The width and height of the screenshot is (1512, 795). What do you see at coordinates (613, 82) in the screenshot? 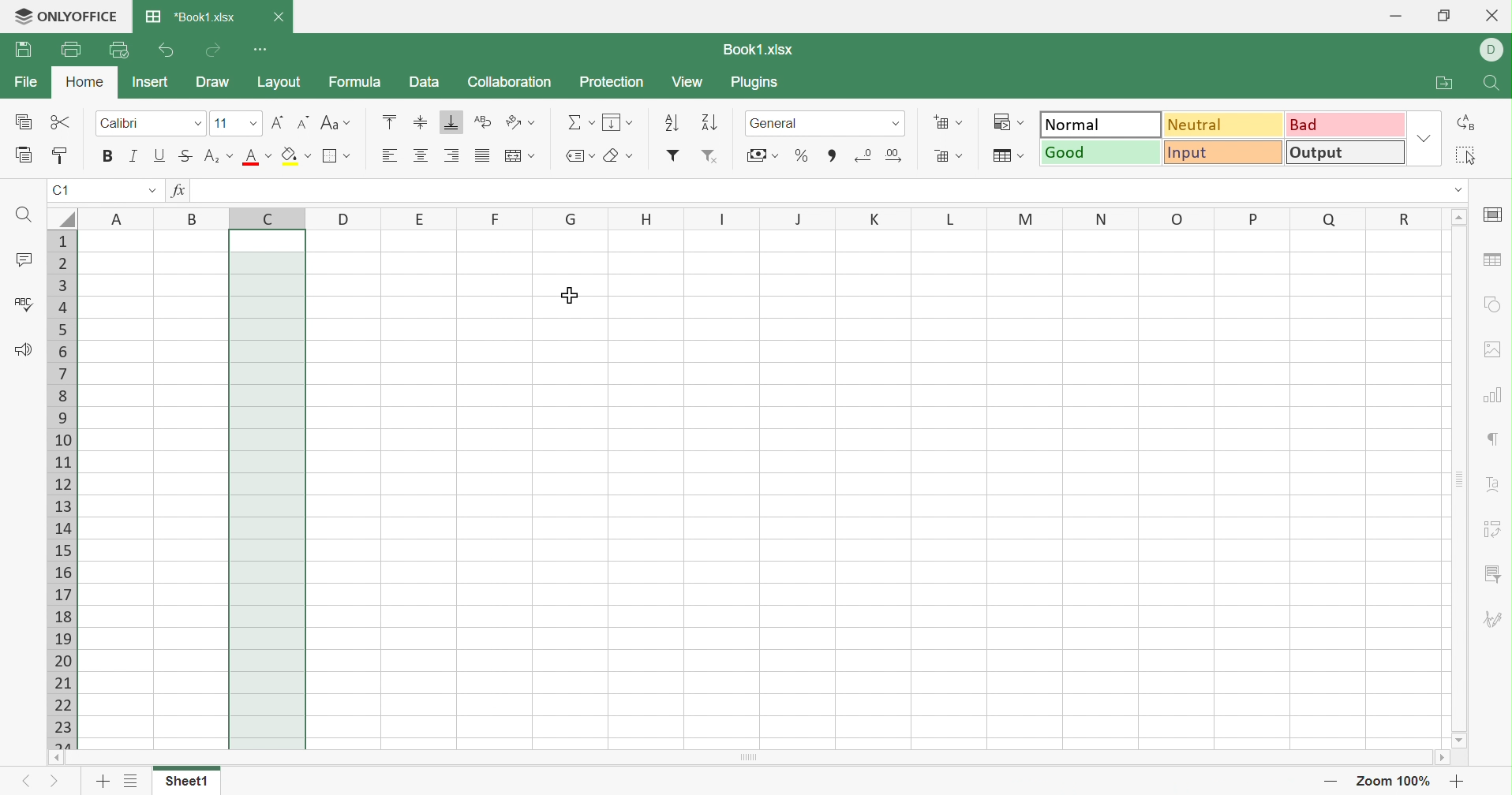
I see `Protection` at bounding box center [613, 82].